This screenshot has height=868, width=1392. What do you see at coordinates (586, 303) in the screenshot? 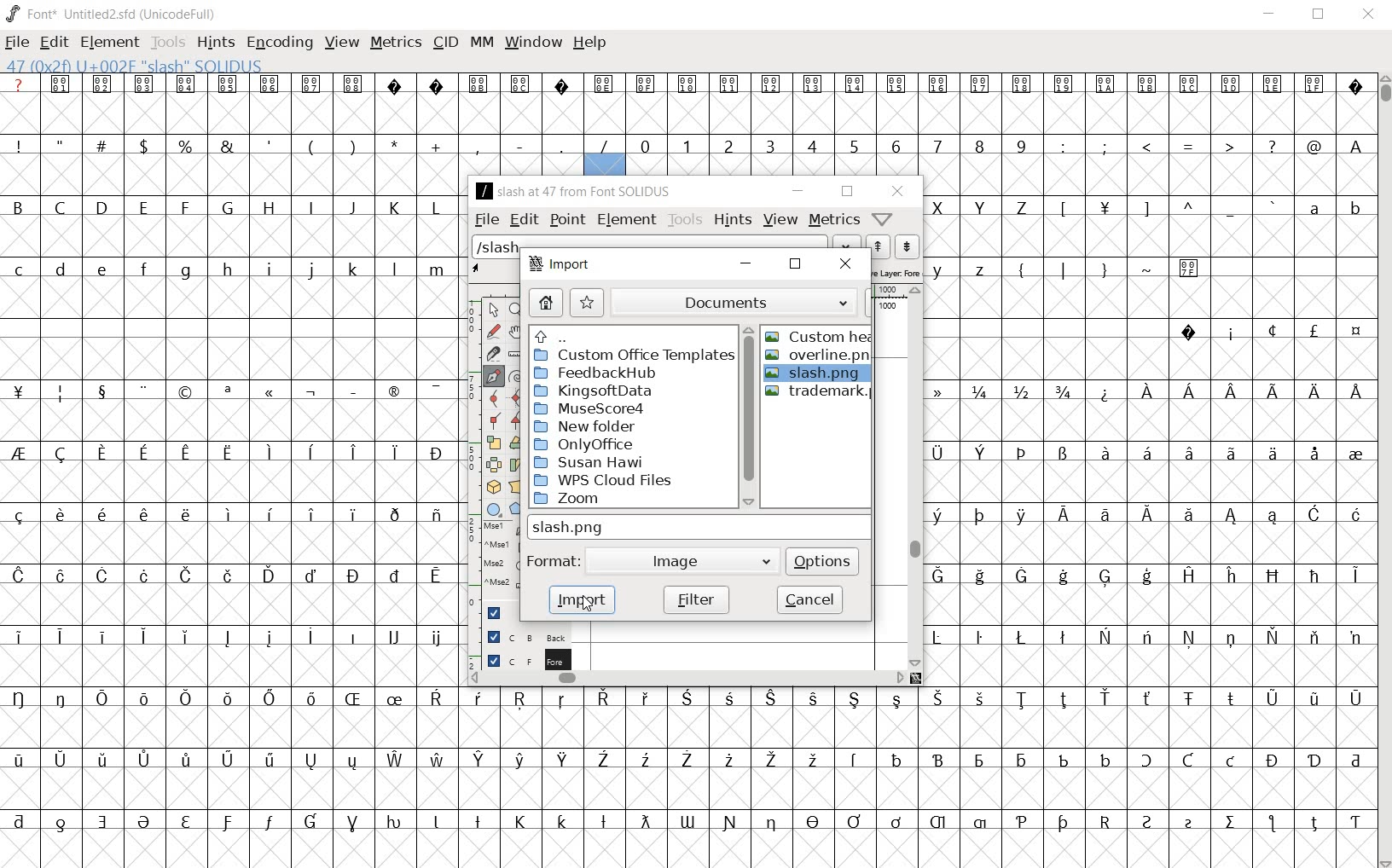
I see `star` at bounding box center [586, 303].